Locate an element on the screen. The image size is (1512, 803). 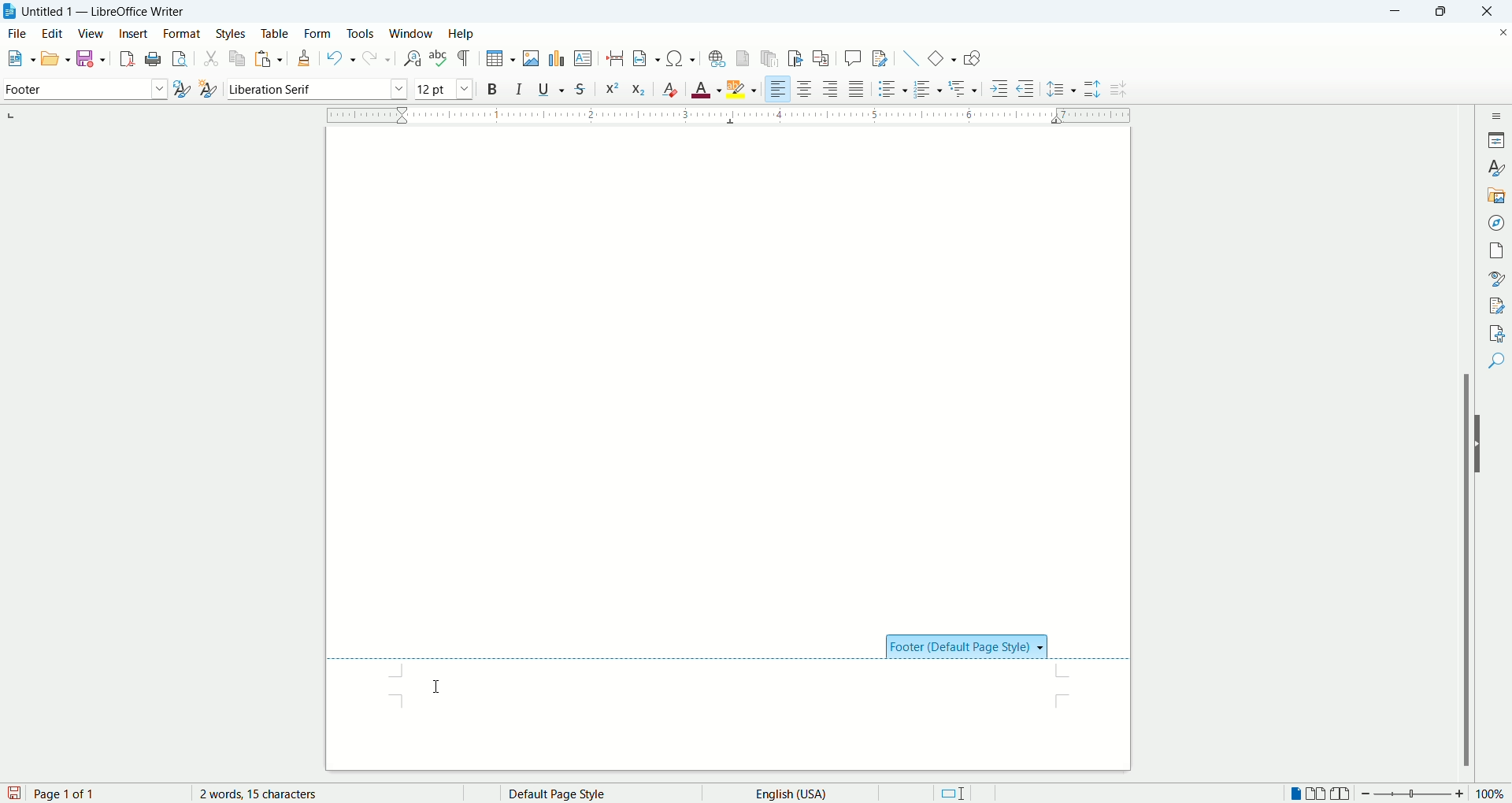
track changes is located at coordinates (880, 59).